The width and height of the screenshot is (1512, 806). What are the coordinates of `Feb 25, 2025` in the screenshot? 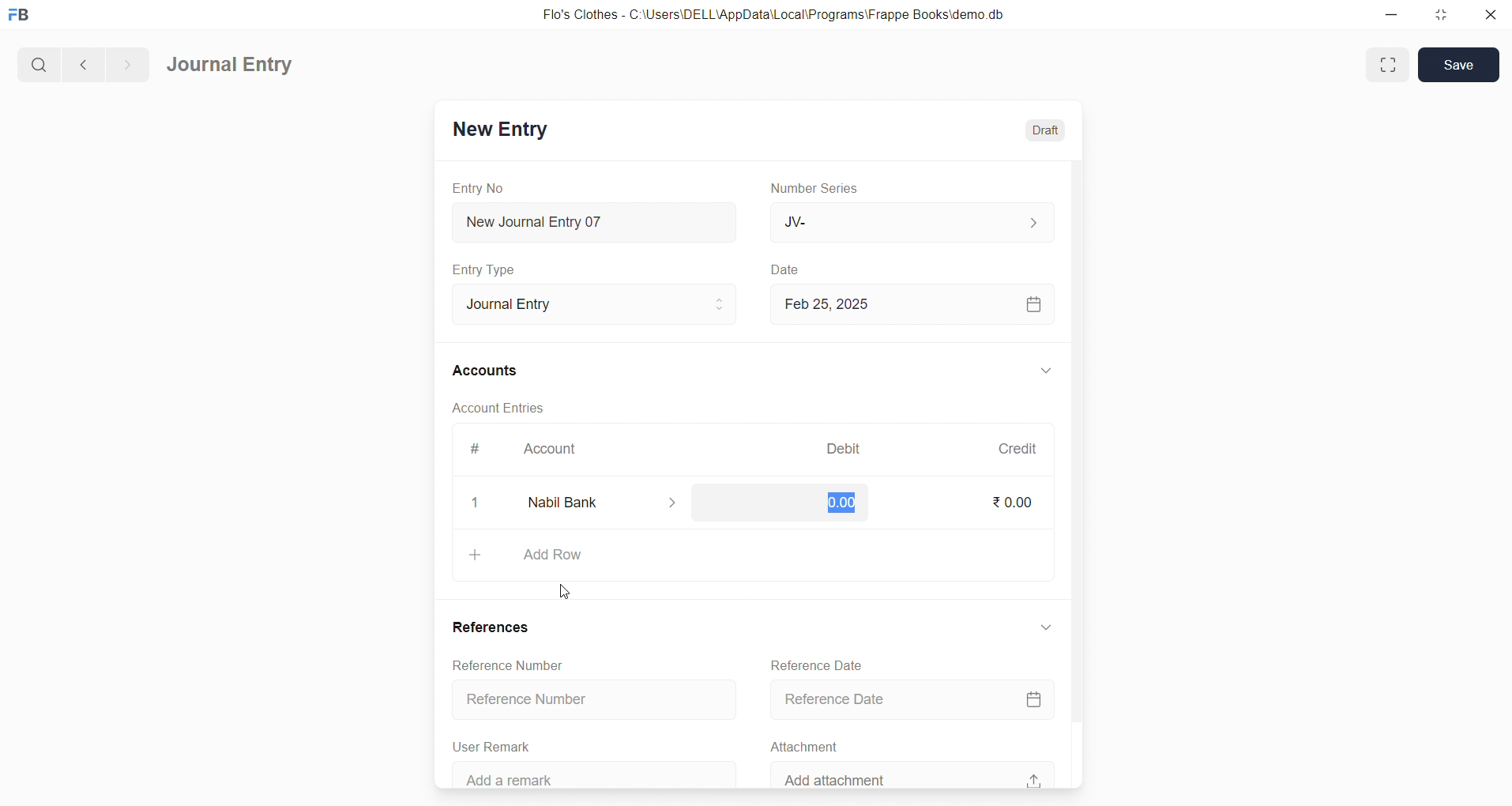 It's located at (914, 304).